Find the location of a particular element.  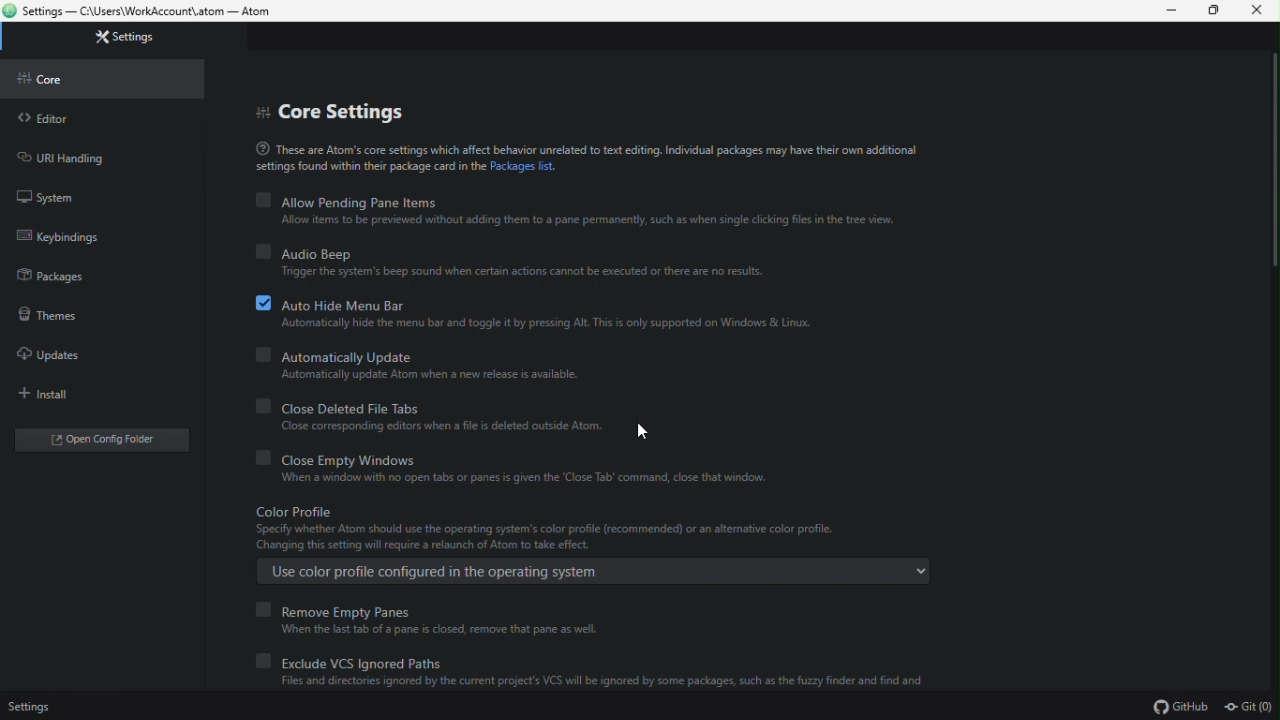

github is located at coordinates (1180, 707).